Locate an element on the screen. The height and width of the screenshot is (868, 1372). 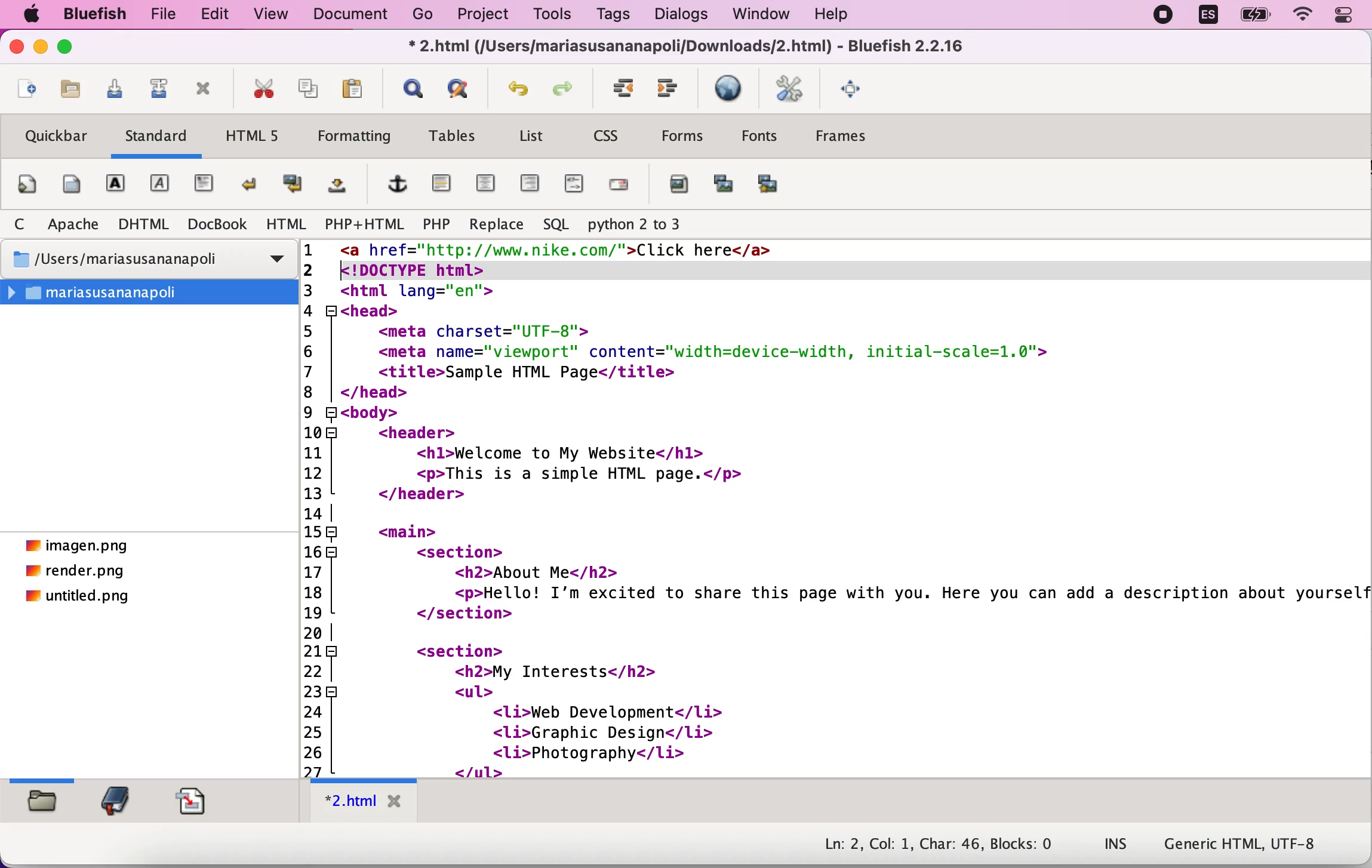
go is located at coordinates (426, 16).